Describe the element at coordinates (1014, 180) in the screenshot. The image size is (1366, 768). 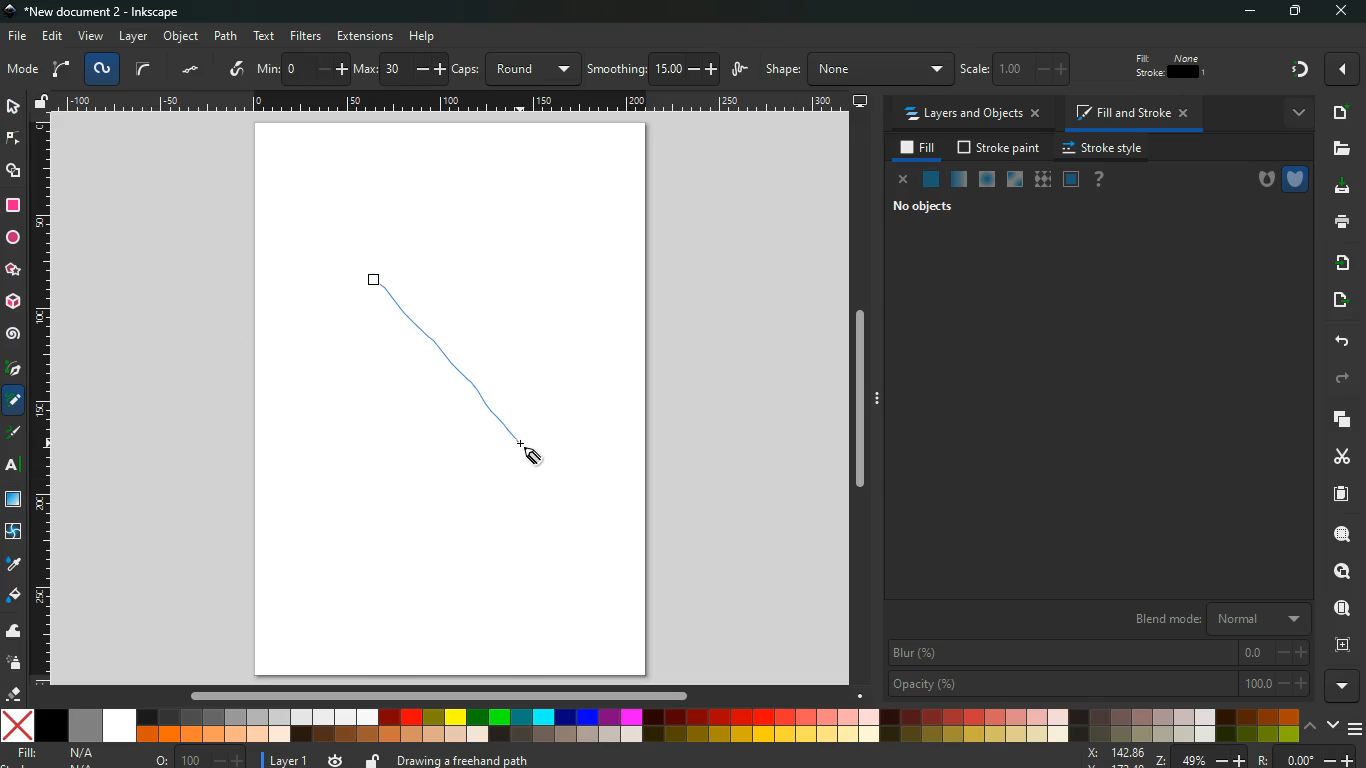
I see `window` at that location.